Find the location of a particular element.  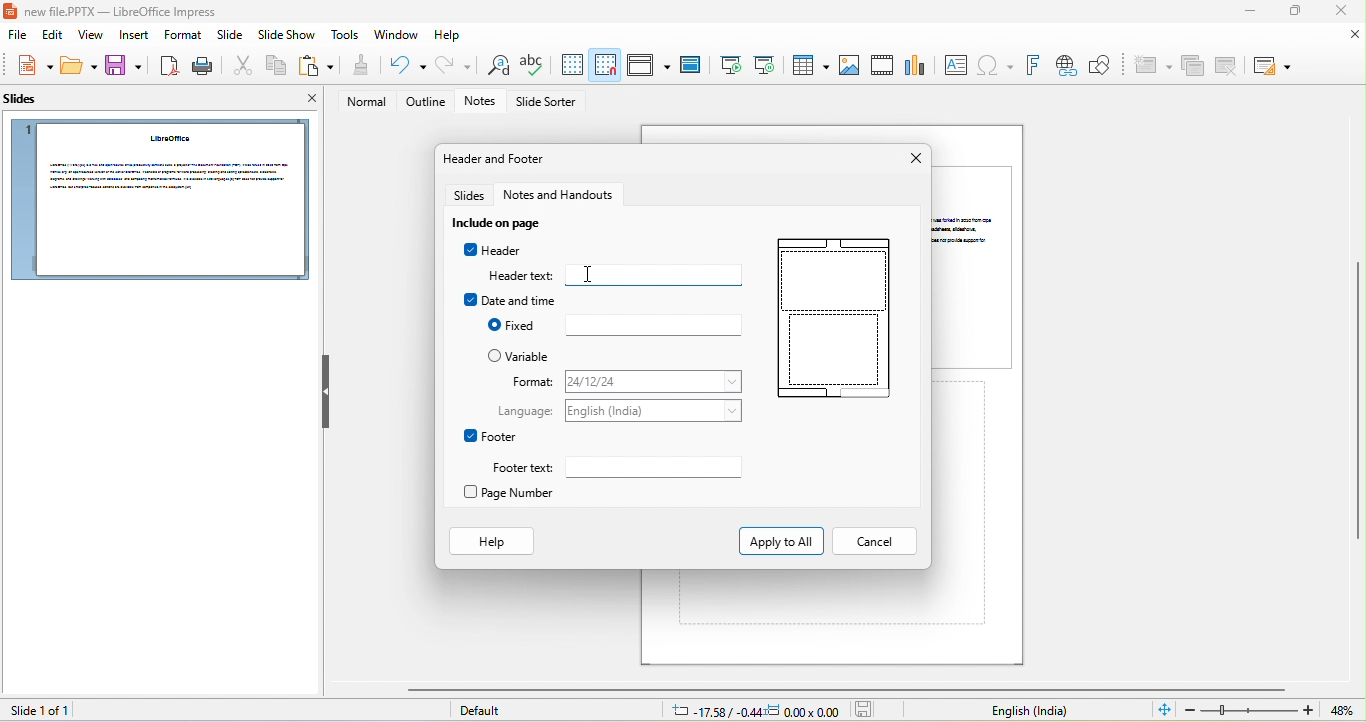

Cancel is located at coordinates (873, 542).